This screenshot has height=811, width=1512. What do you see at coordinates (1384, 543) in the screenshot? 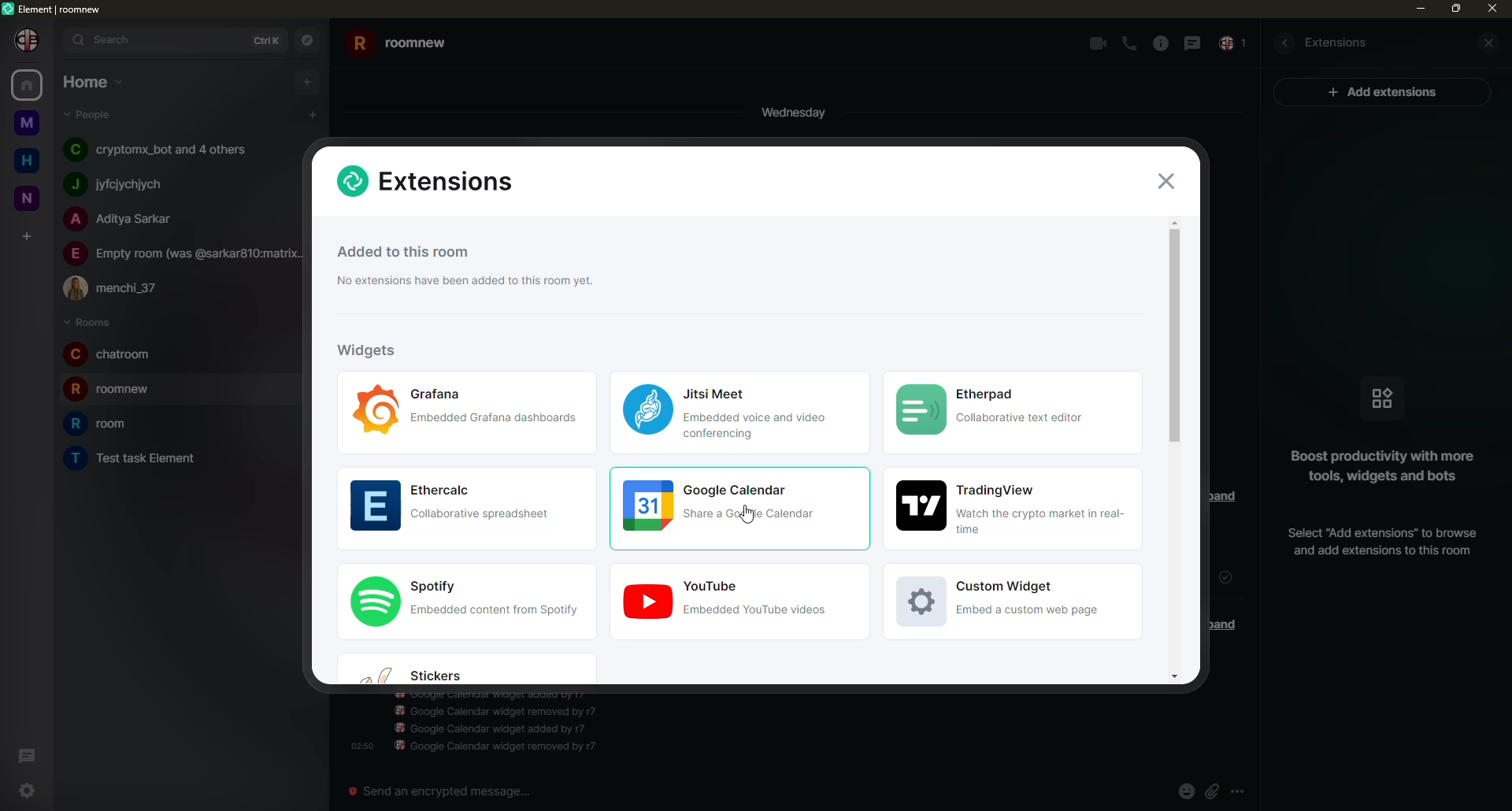
I see `add` at bounding box center [1384, 543].